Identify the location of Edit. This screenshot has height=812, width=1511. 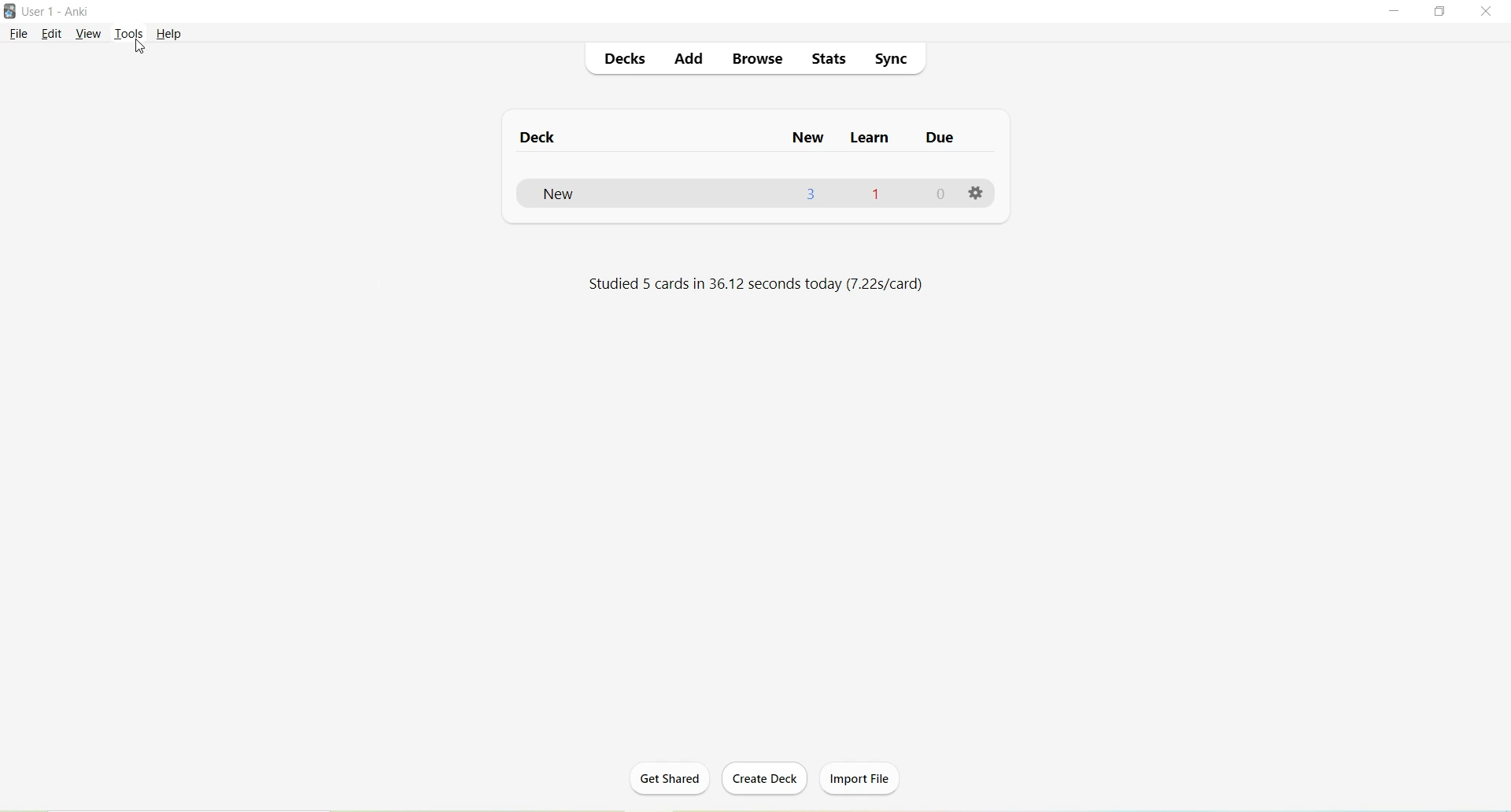
(54, 34).